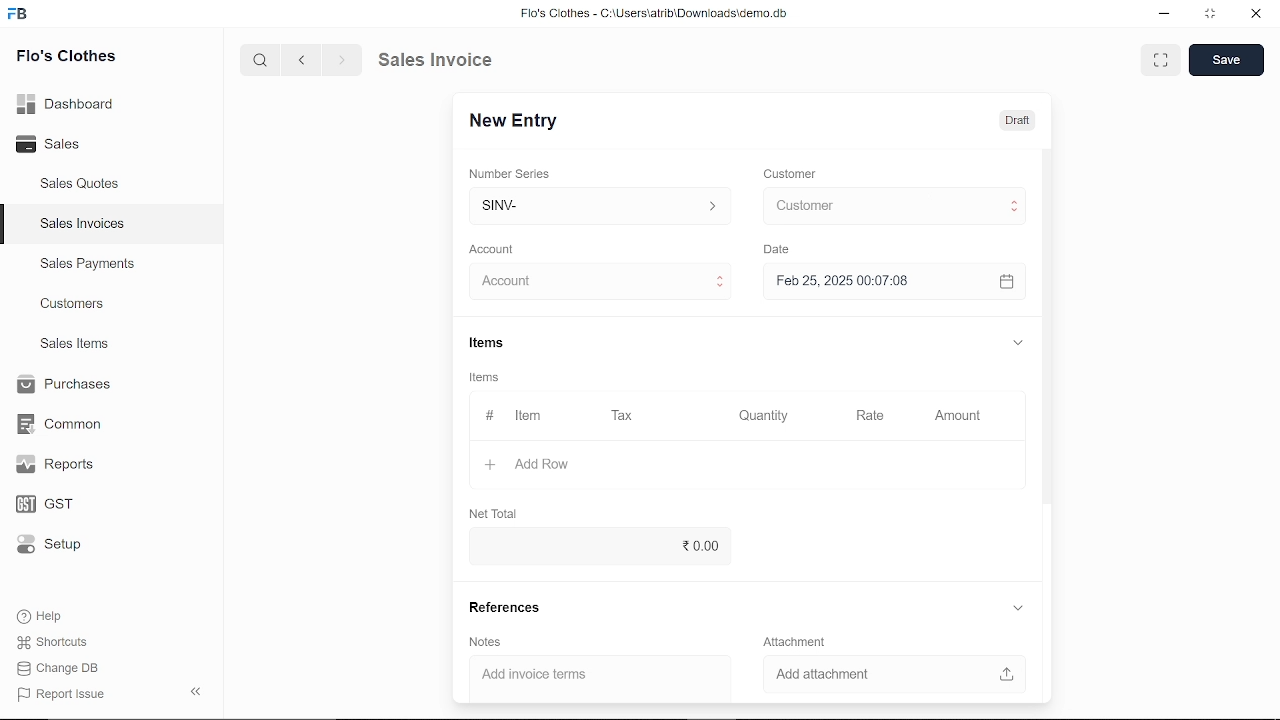 The height and width of the screenshot is (720, 1280). I want to click on Draft, so click(1021, 118).